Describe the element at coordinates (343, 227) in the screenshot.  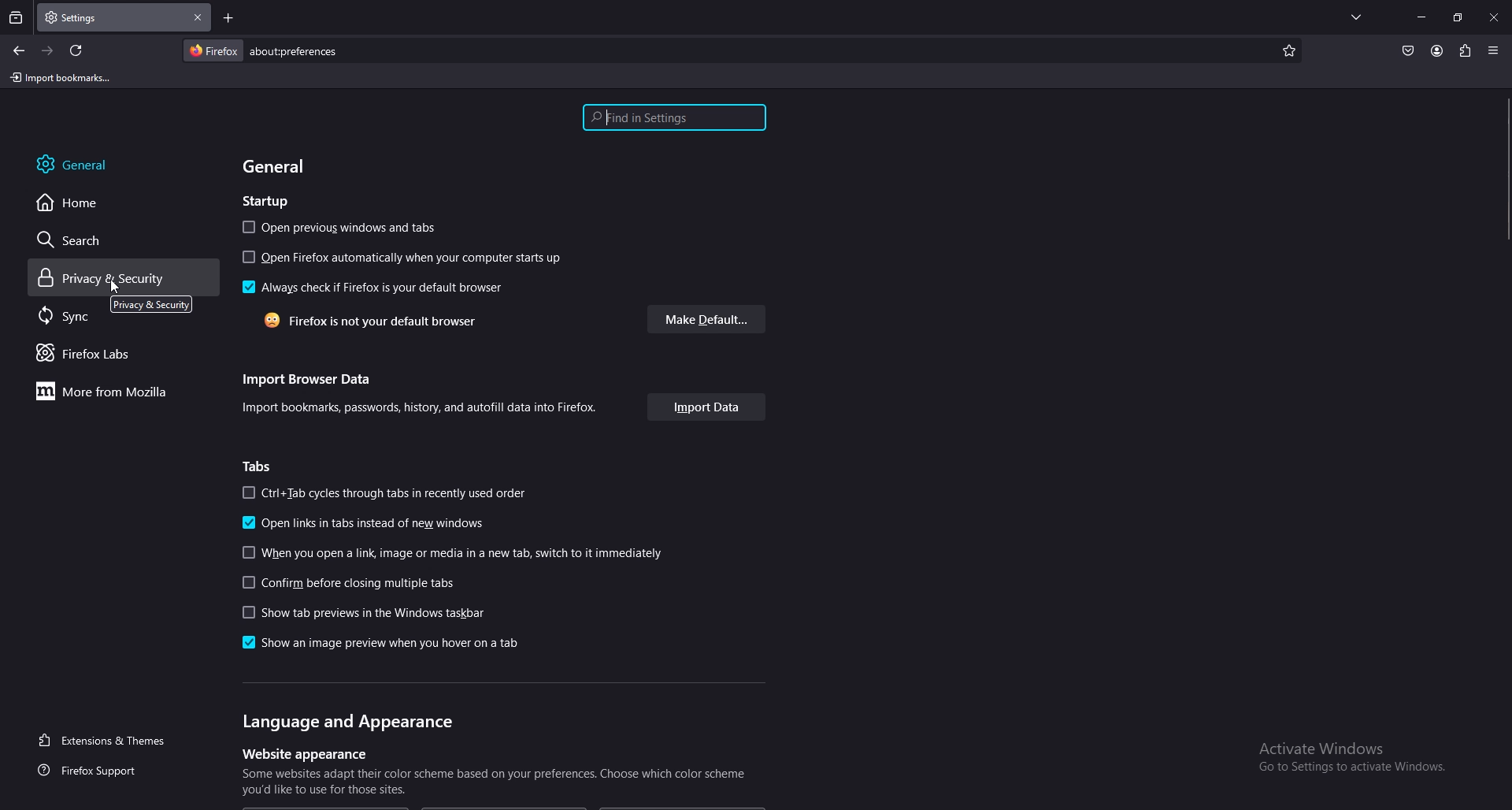
I see `open previous windows and tabs` at that location.